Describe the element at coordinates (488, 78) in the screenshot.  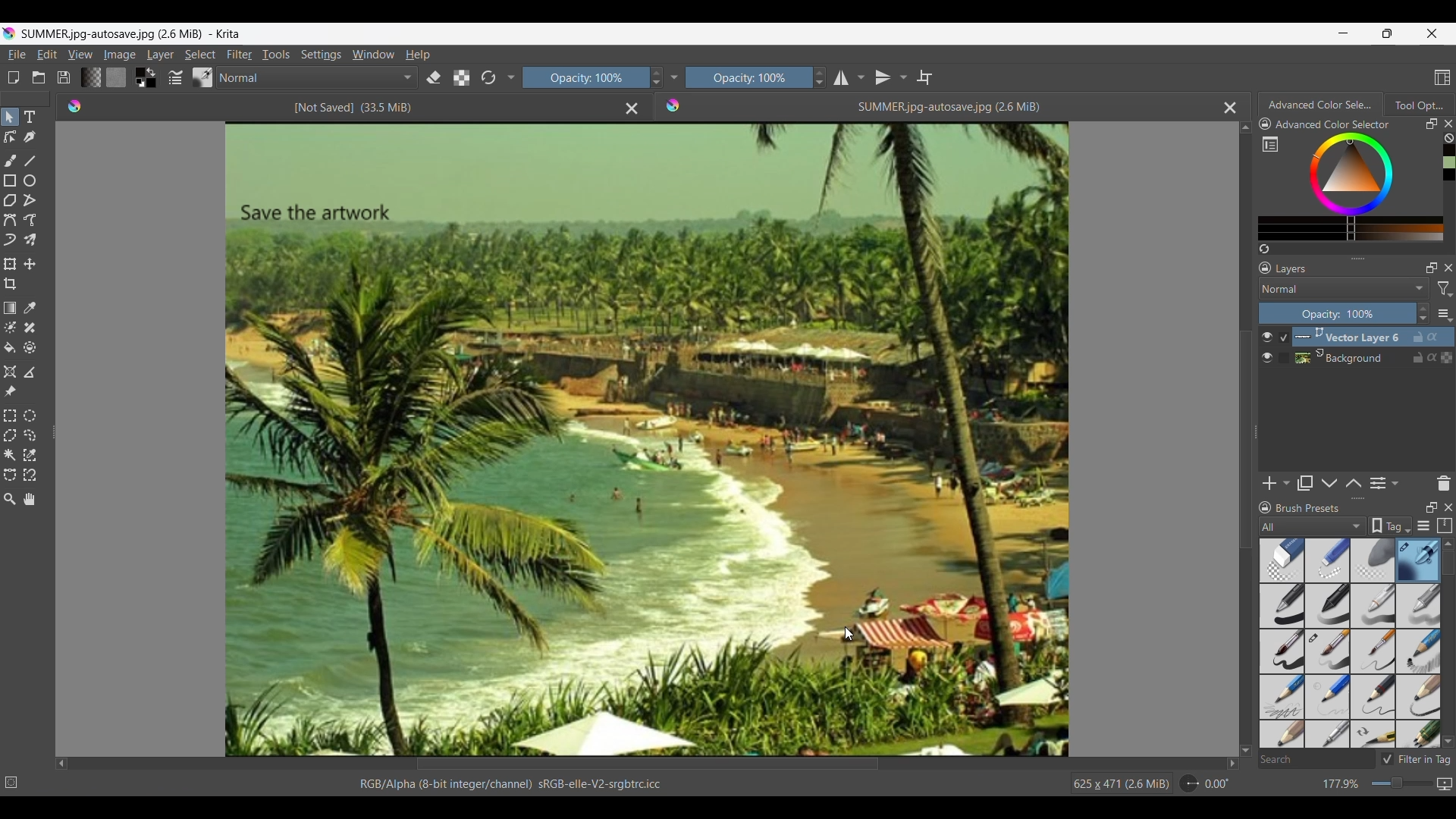
I see `Reset to original preset` at that location.